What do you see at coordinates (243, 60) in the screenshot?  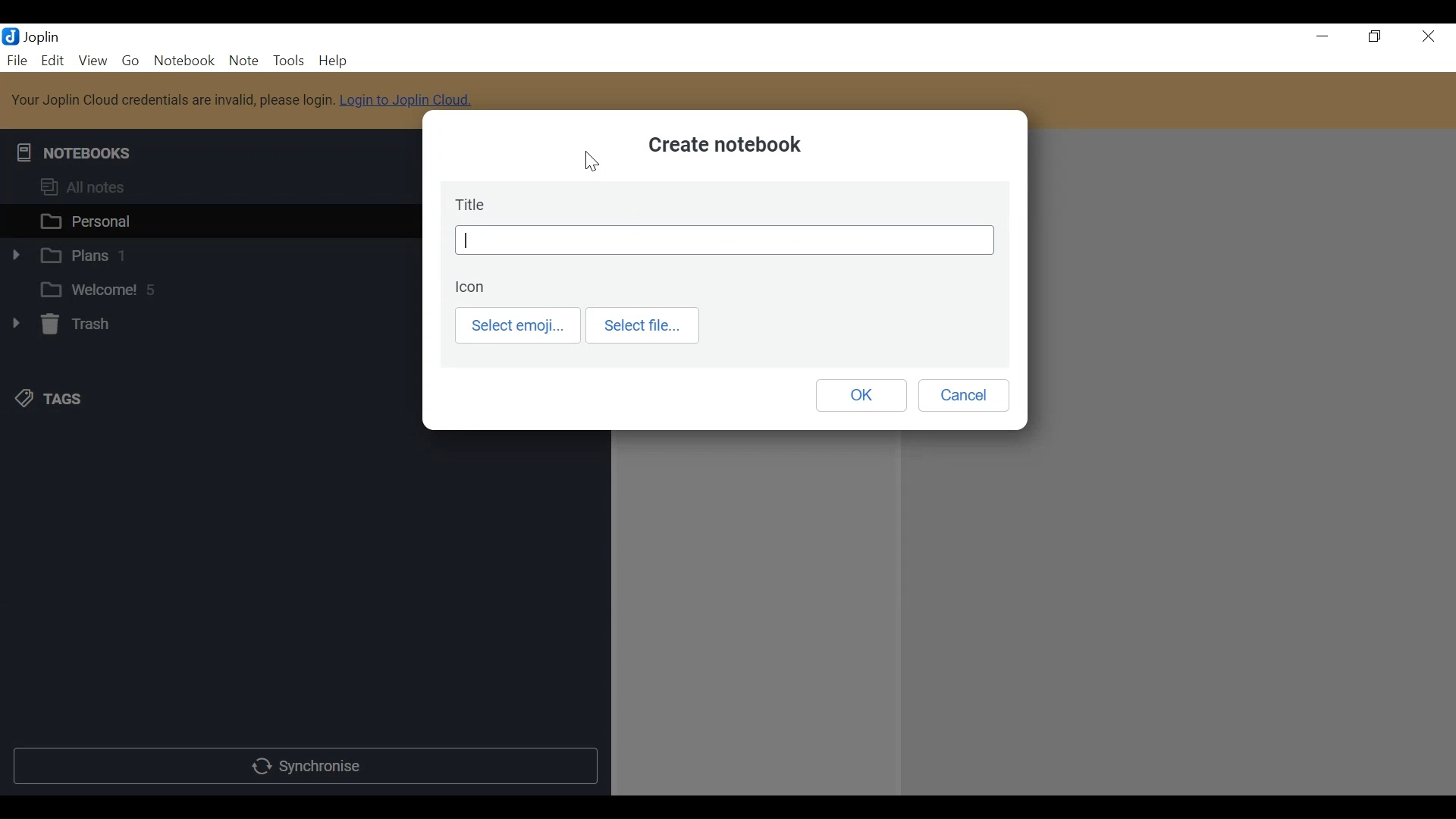 I see `Note` at bounding box center [243, 60].